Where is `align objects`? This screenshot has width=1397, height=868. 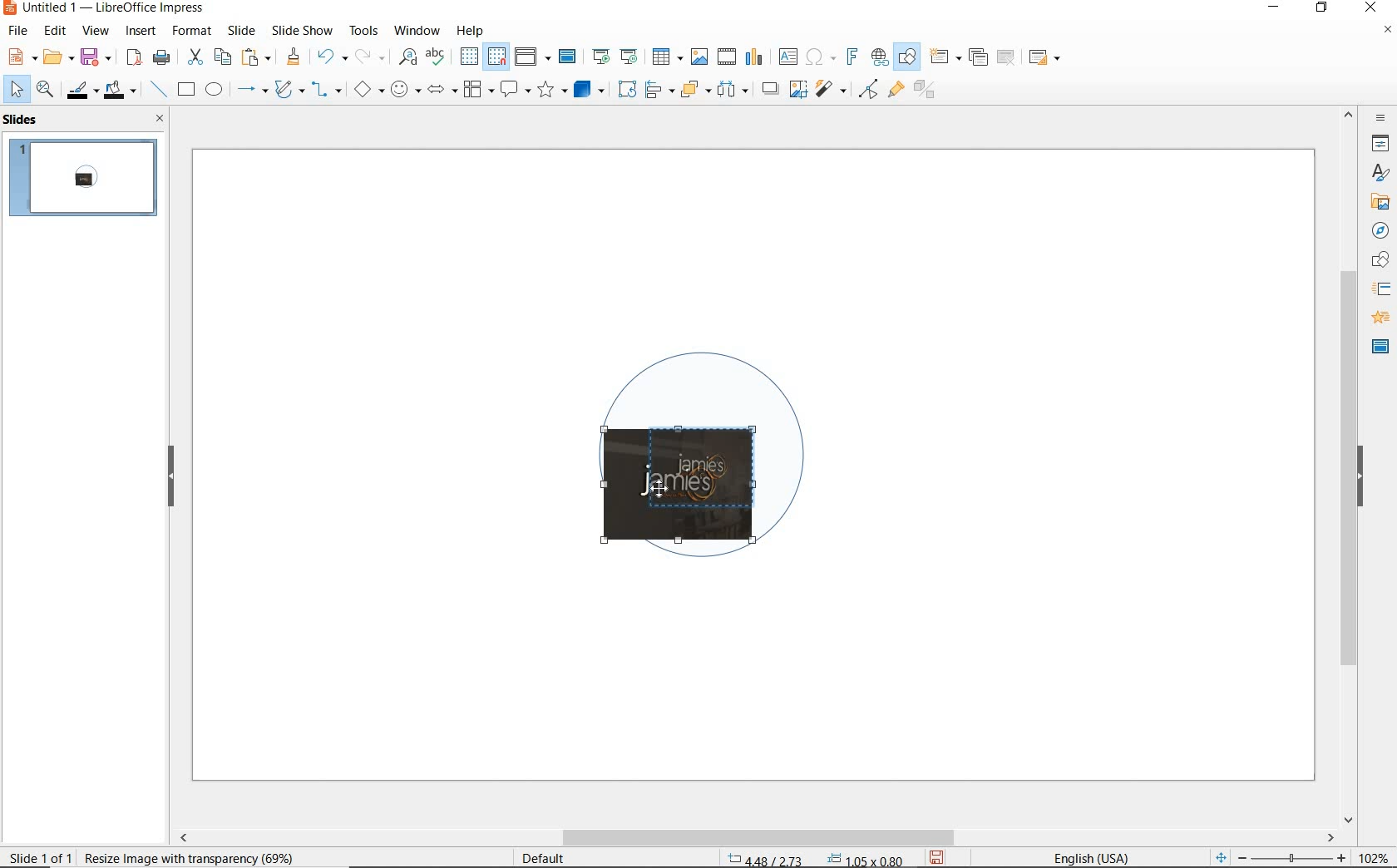 align objects is located at coordinates (655, 88).